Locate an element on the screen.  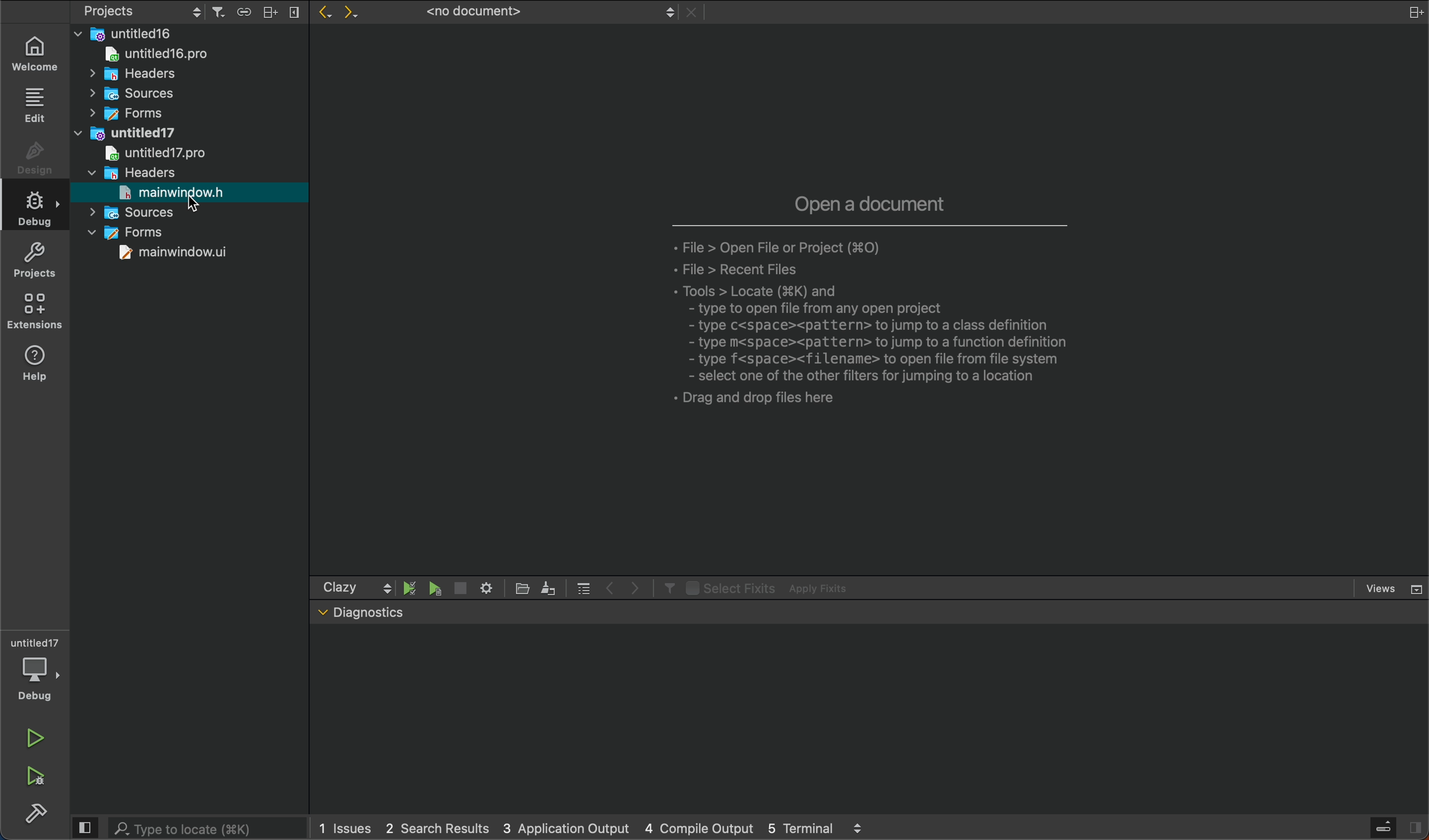
Select fixits is located at coordinates (729, 587).